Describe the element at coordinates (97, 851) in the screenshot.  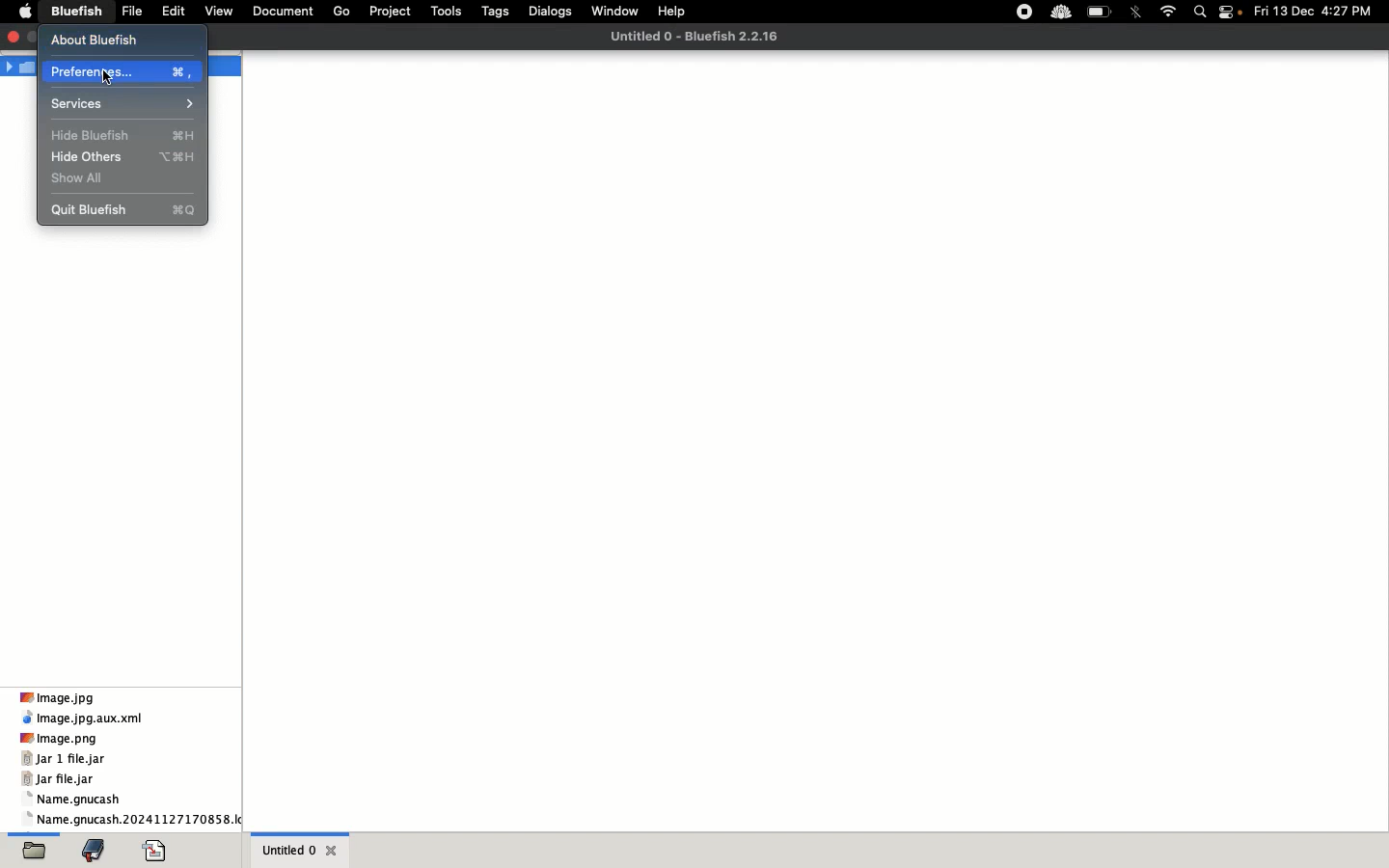
I see `Bookmark ` at that location.